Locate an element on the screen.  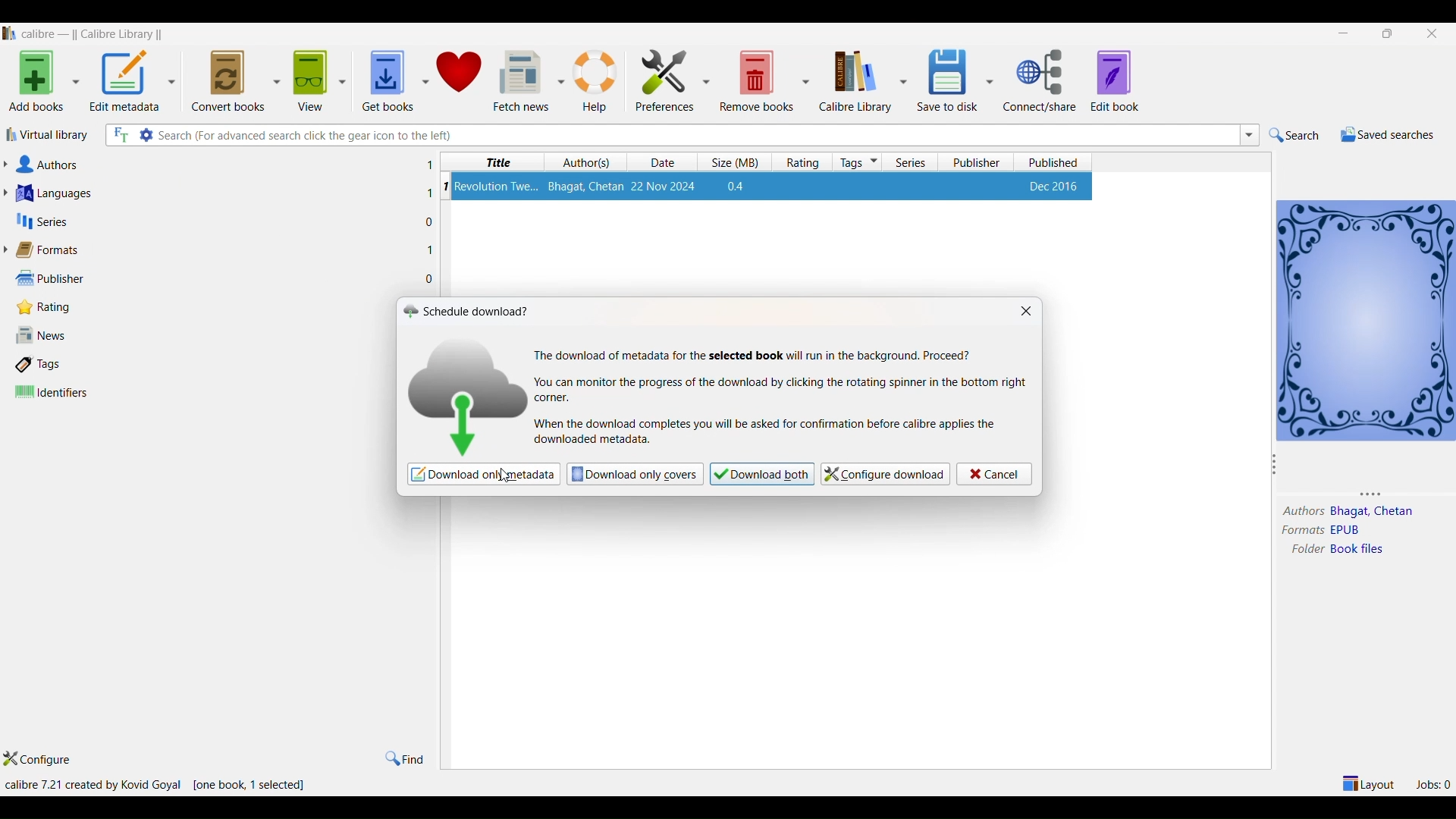
donate to calibre is located at coordinates (463, 76).